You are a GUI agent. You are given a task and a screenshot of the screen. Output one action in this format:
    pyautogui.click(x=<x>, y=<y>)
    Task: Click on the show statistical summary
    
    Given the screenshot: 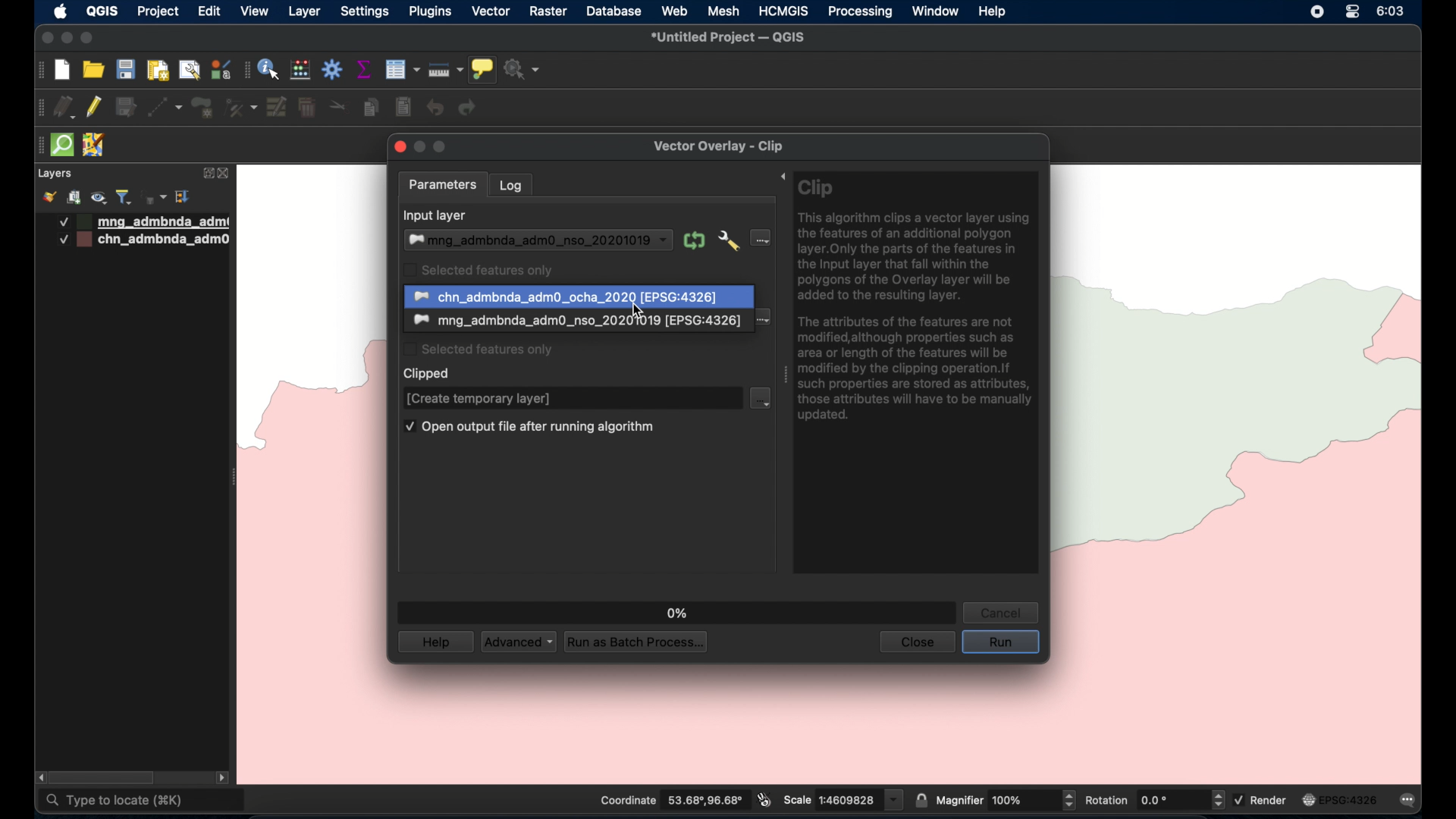 What is the action you would take?
    pyautogui.click(x=365, y=69)
    